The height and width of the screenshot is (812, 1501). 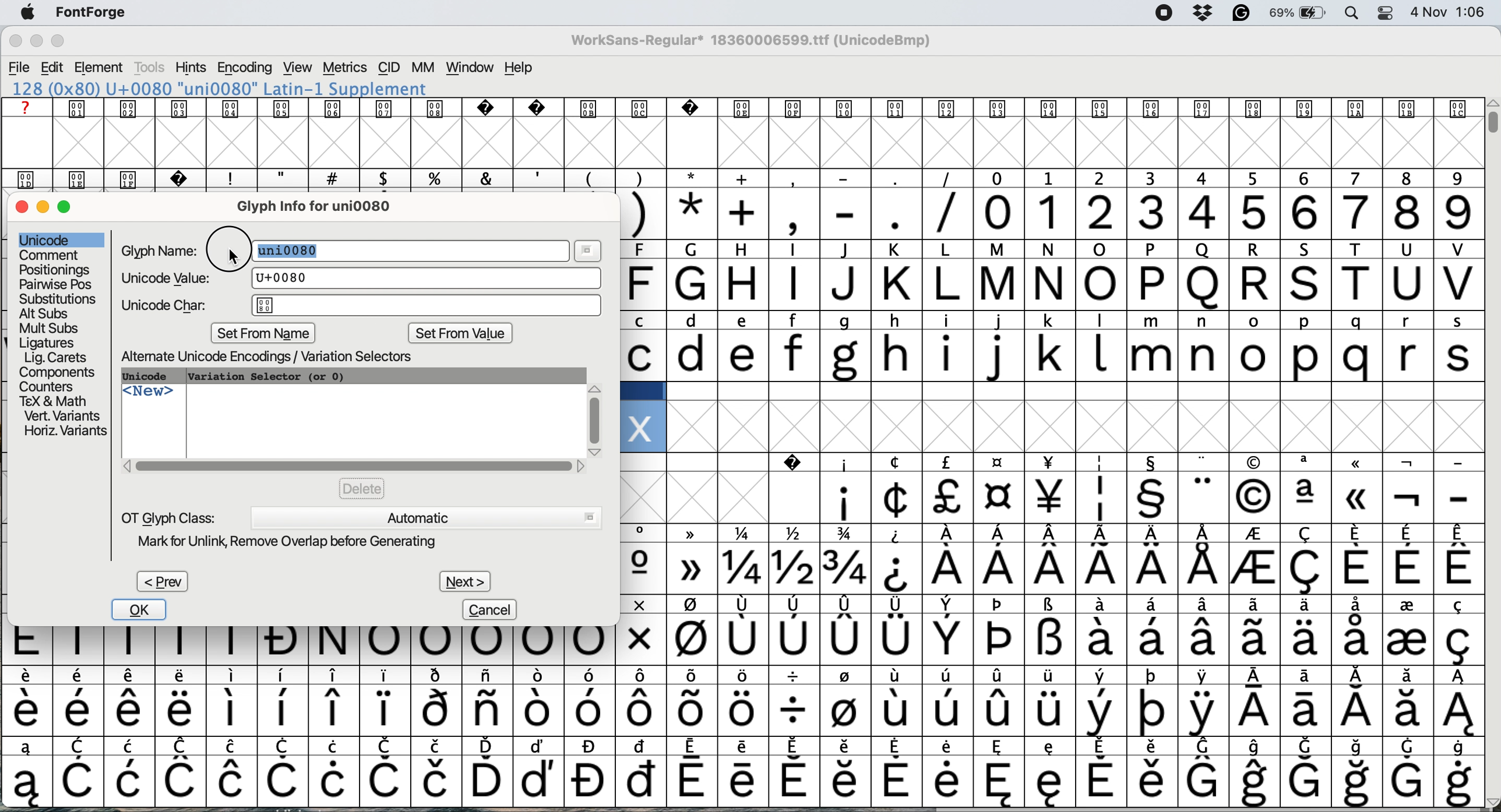 What do you see at coordinates (35, 43) in the screenshot?
I see `minimise` at bounding box center [35, 43].